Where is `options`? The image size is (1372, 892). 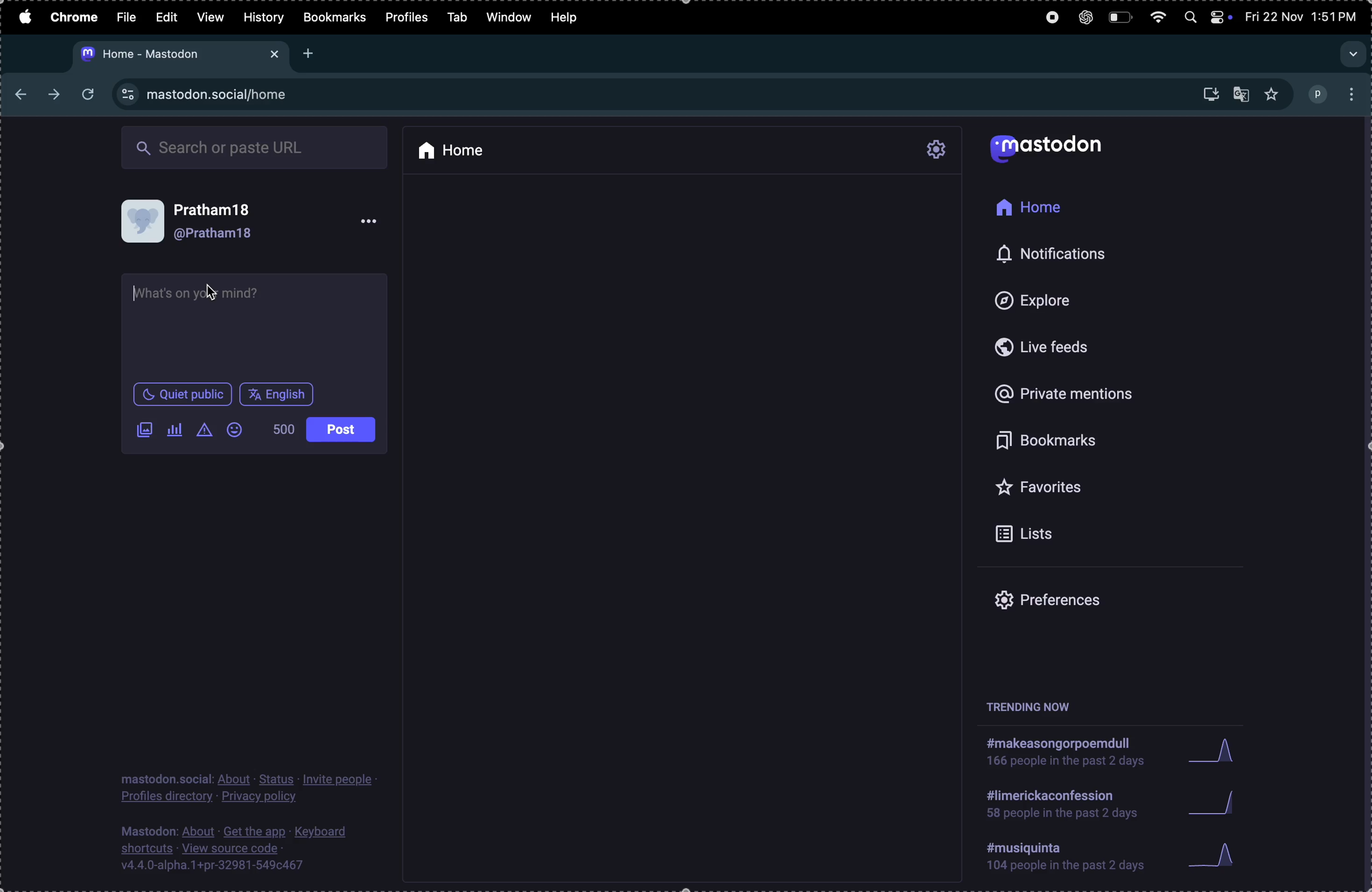
options is located at coordinates (1348, 92).